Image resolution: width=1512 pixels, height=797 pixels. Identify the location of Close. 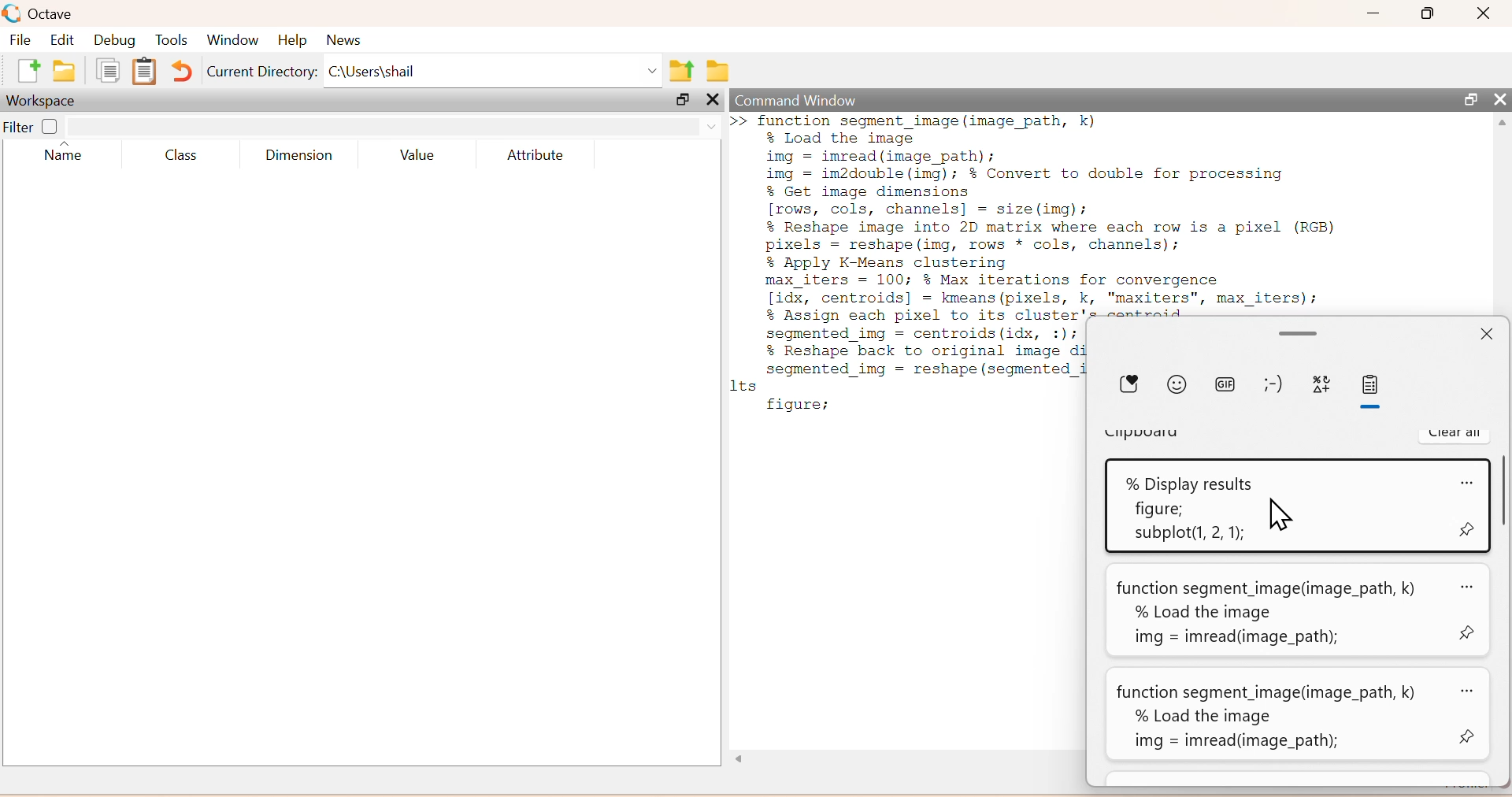
(1483, 13).